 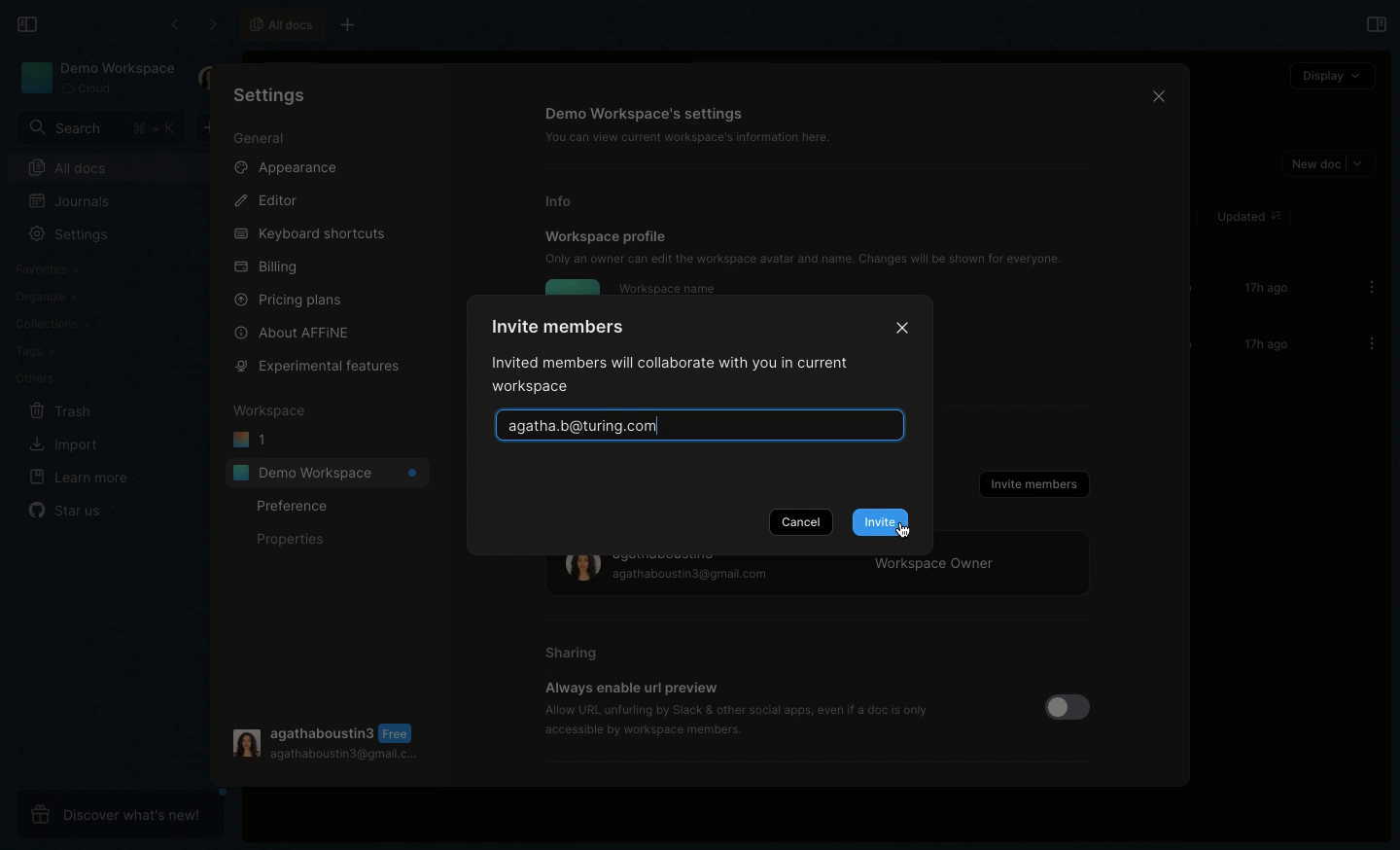 What do you see at coordinates (607, 235) in the screenshot?
I see `Workspace profile` at bounding box center [607, 235].